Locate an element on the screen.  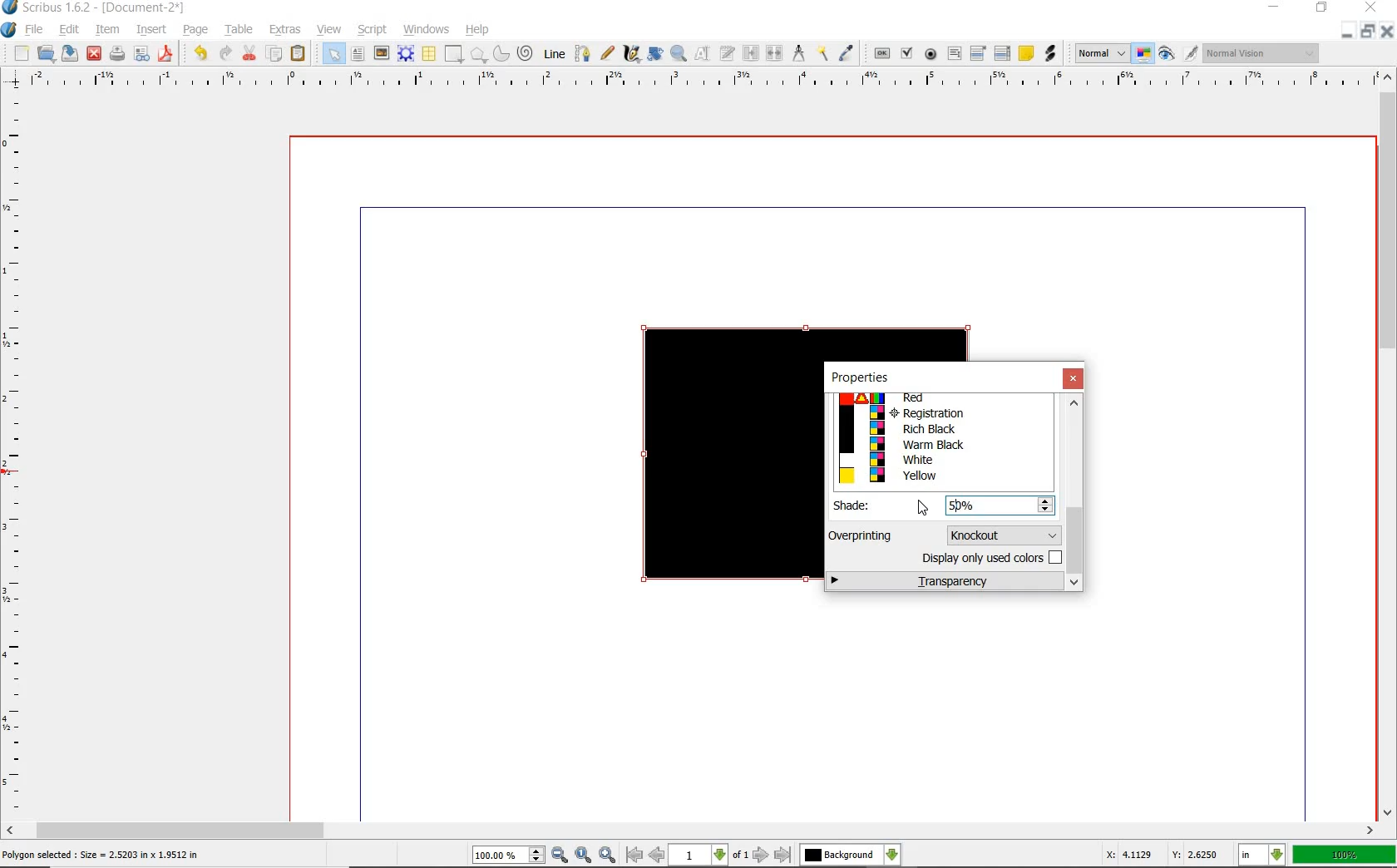
cut is located at coordinates (249, 55).